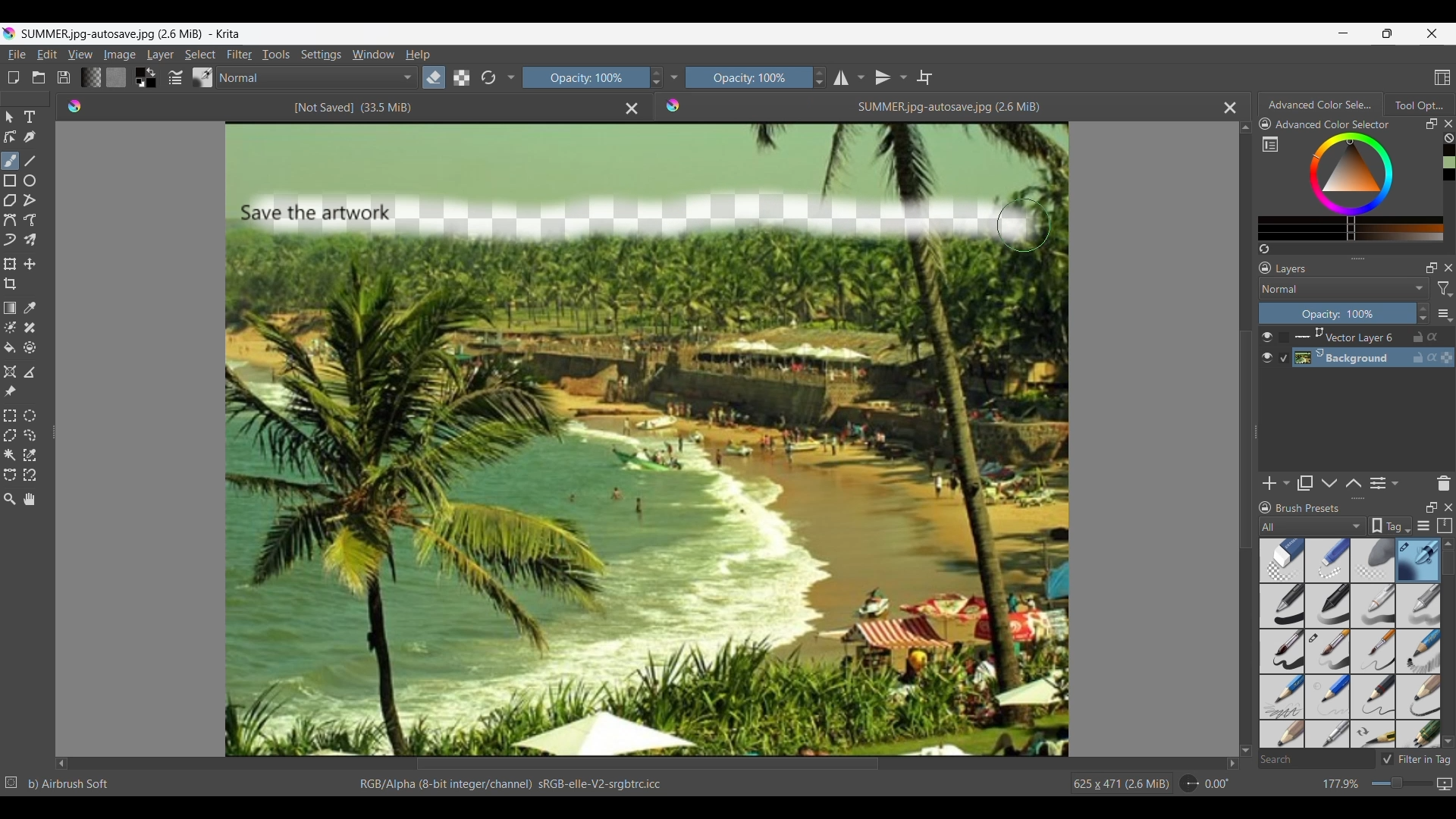 This screenshot has width=1456, height=819. What do you see at coordinates (924, 77) in the screenshot?
I see `Wrap around mode` at bounding box center [924, 77].